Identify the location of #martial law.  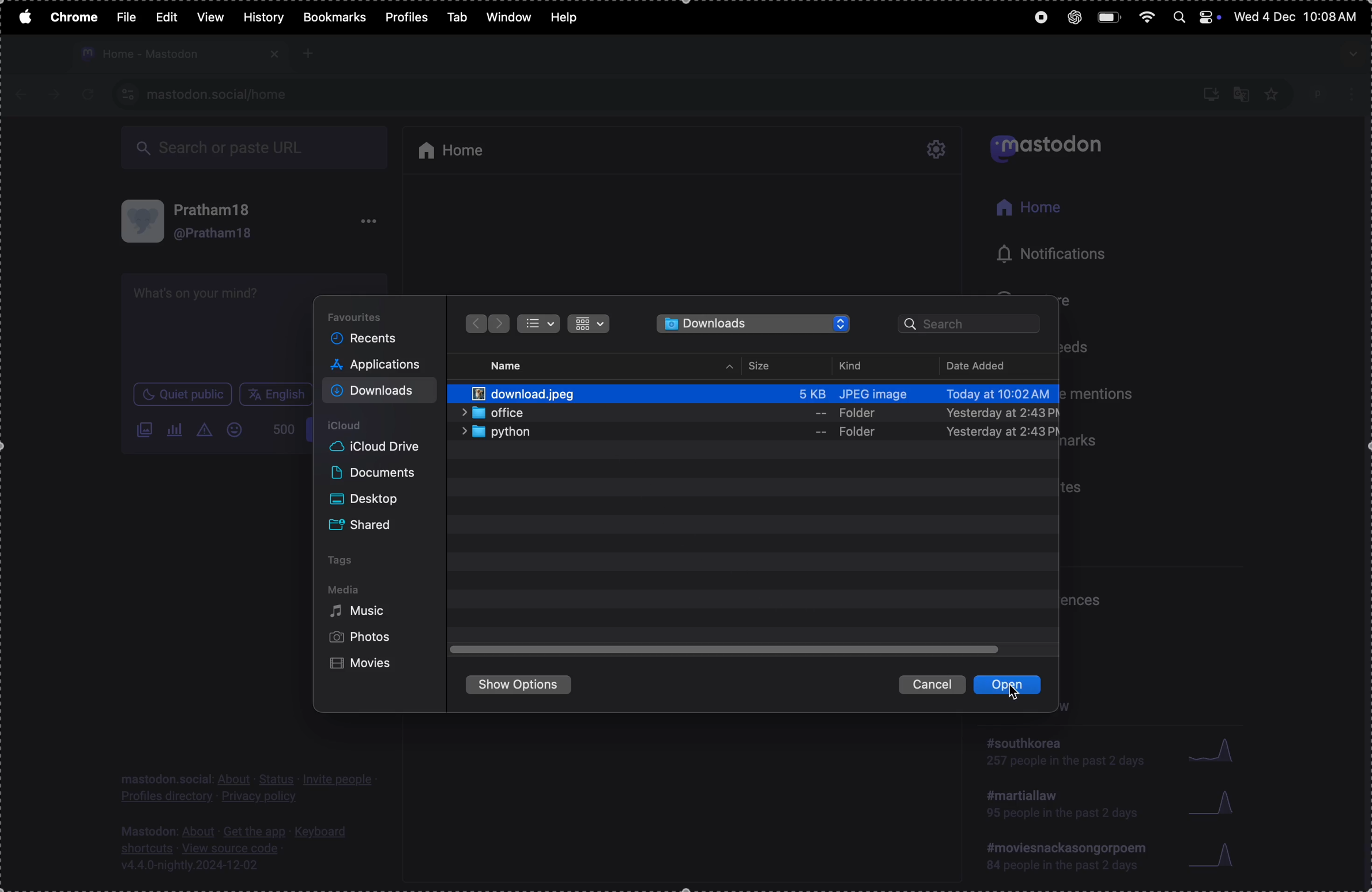
(1056, 808).